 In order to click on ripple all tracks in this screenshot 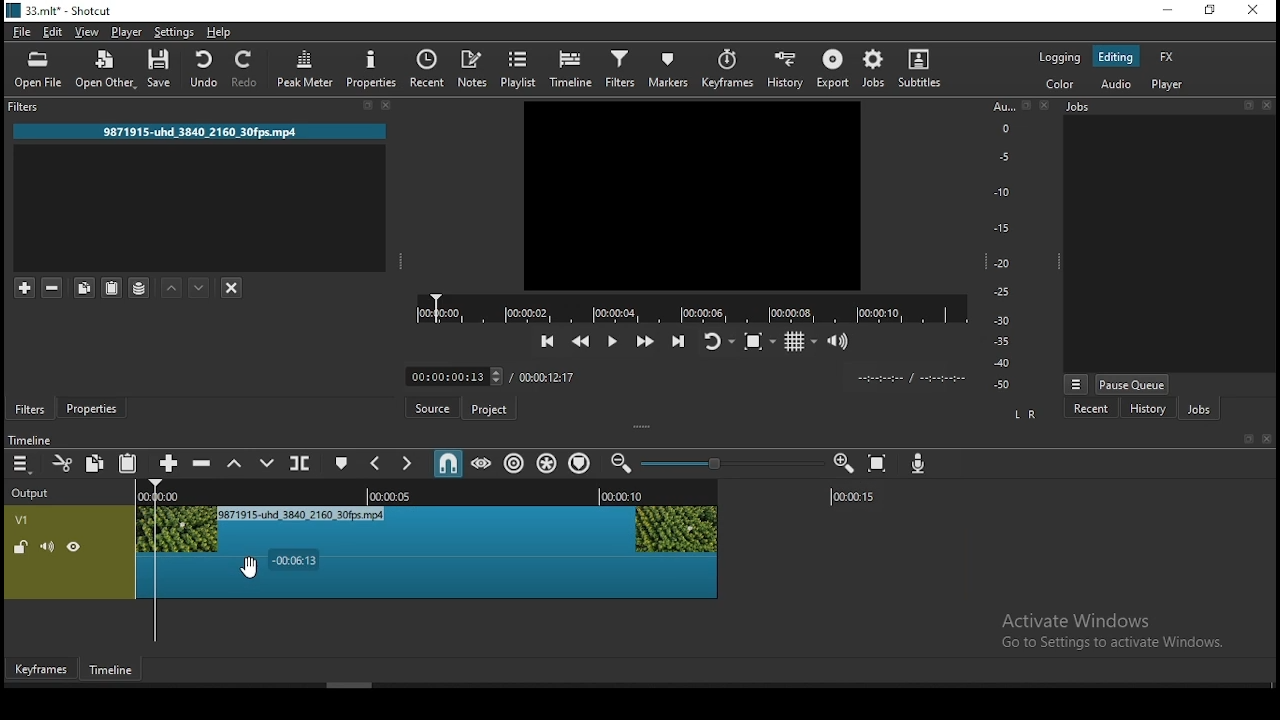, I will do `click(550, 462)`.